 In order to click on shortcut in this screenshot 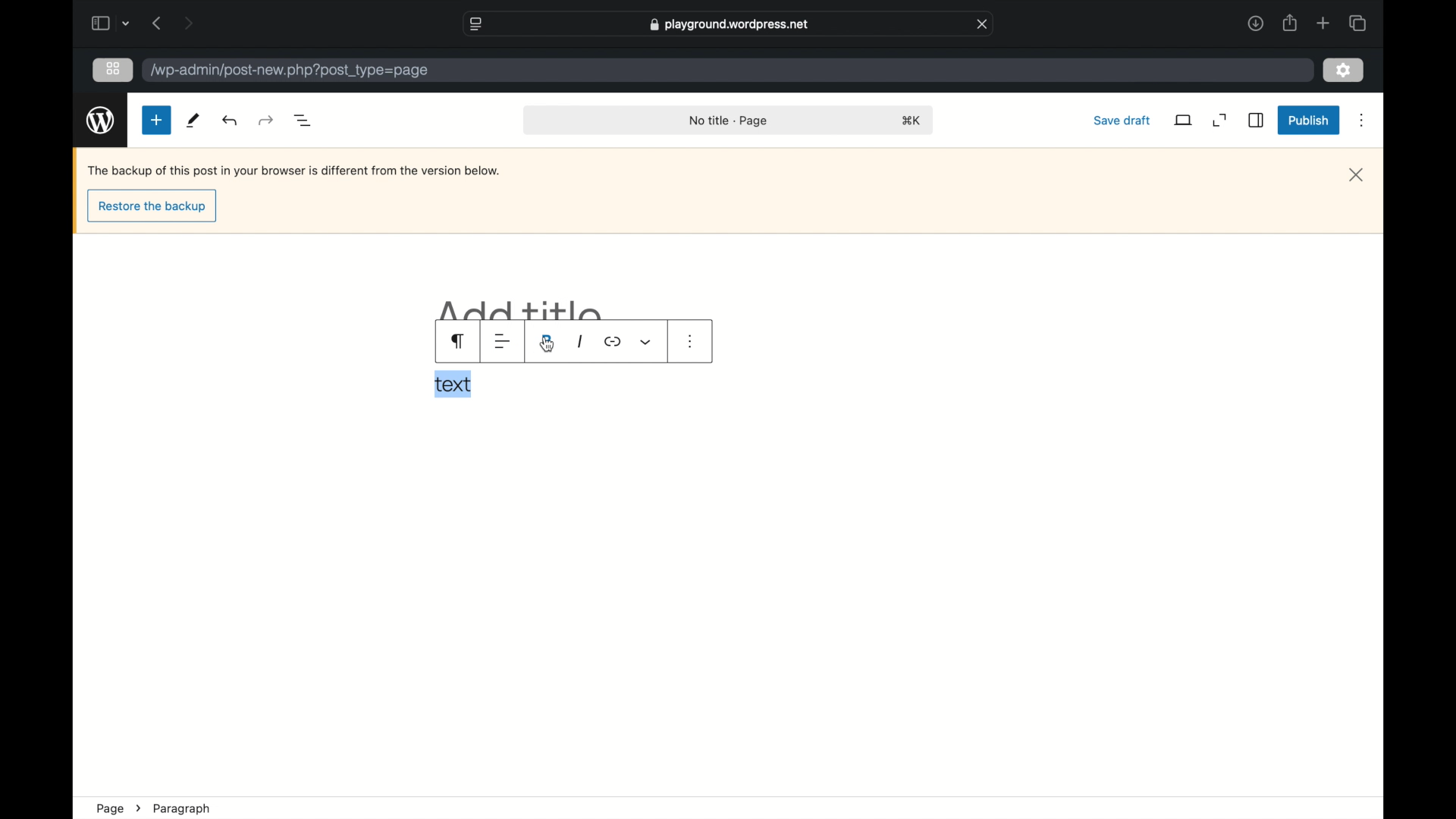, I will do `click(912, 121)`.